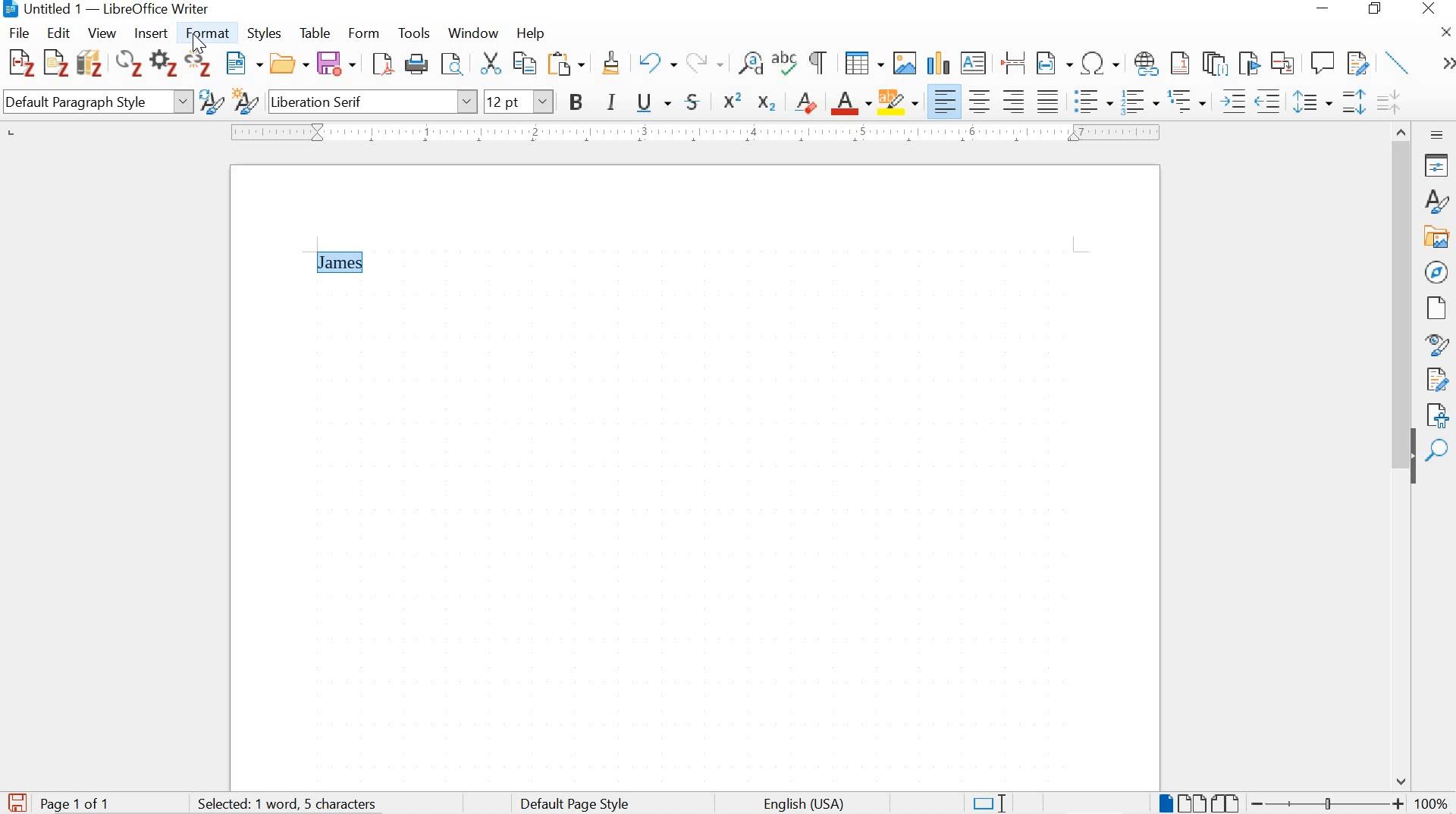  I want to click on 1 word and 5 character, so click(292, 804).